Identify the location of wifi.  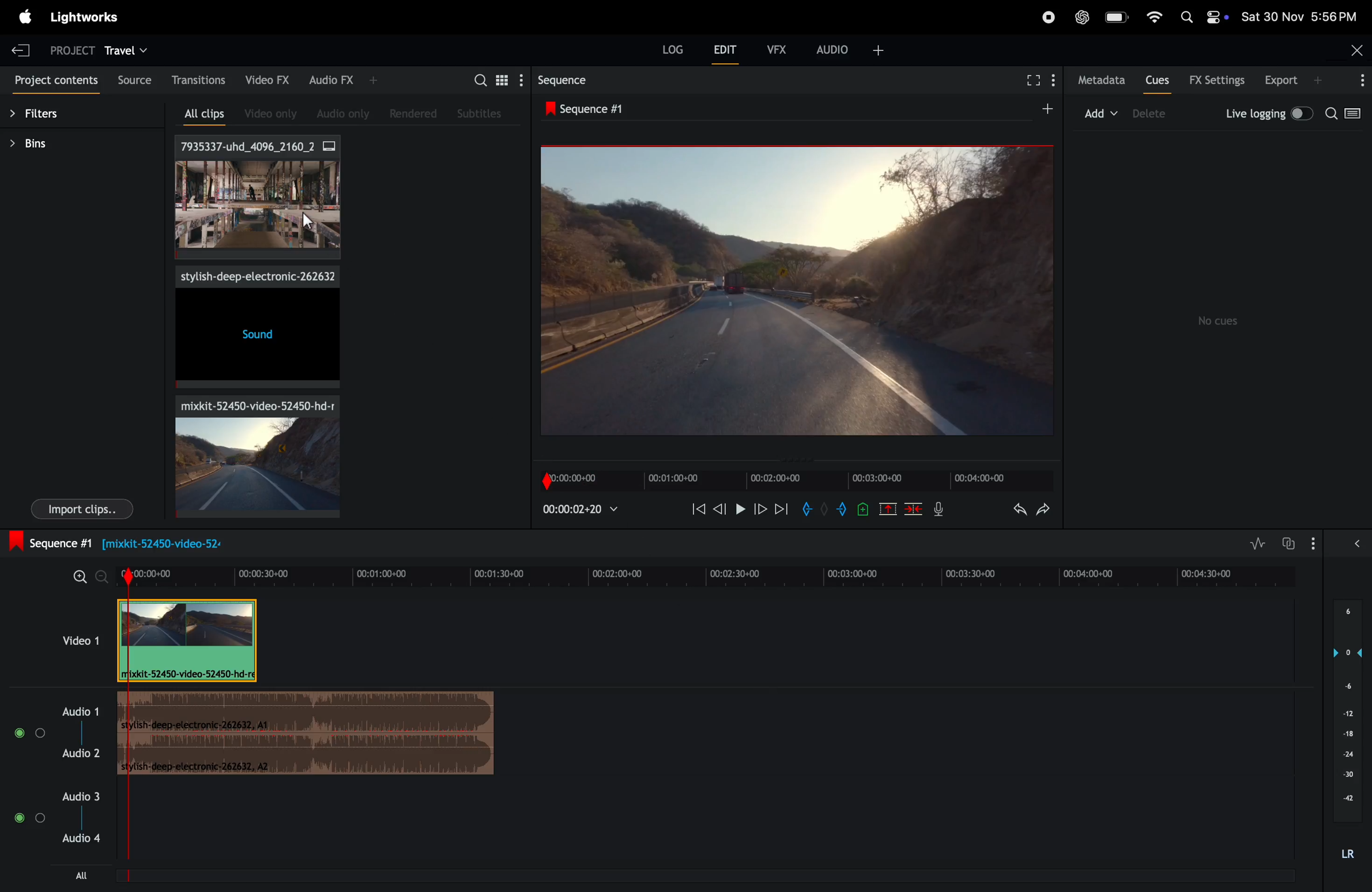
(1152, 16).